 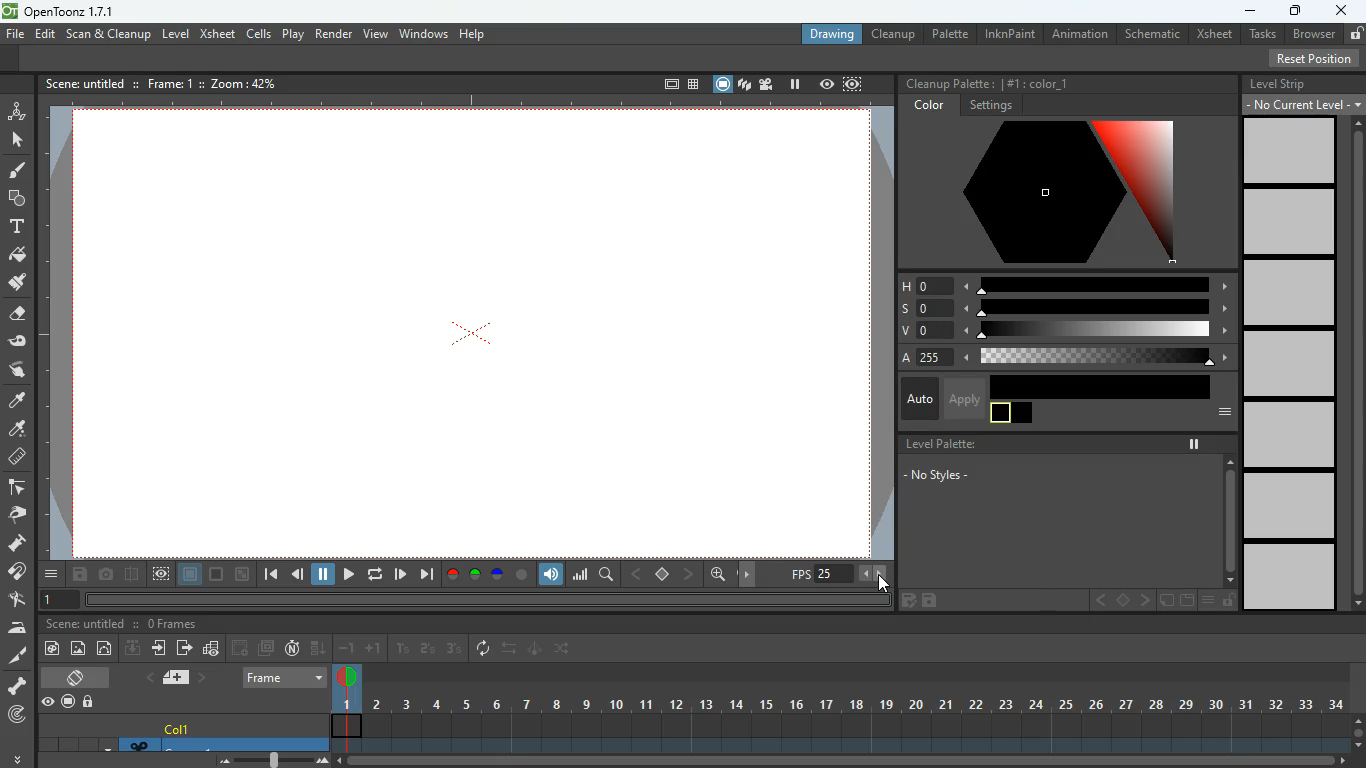 I want to click on cleanup, so click(x=895, y=33).